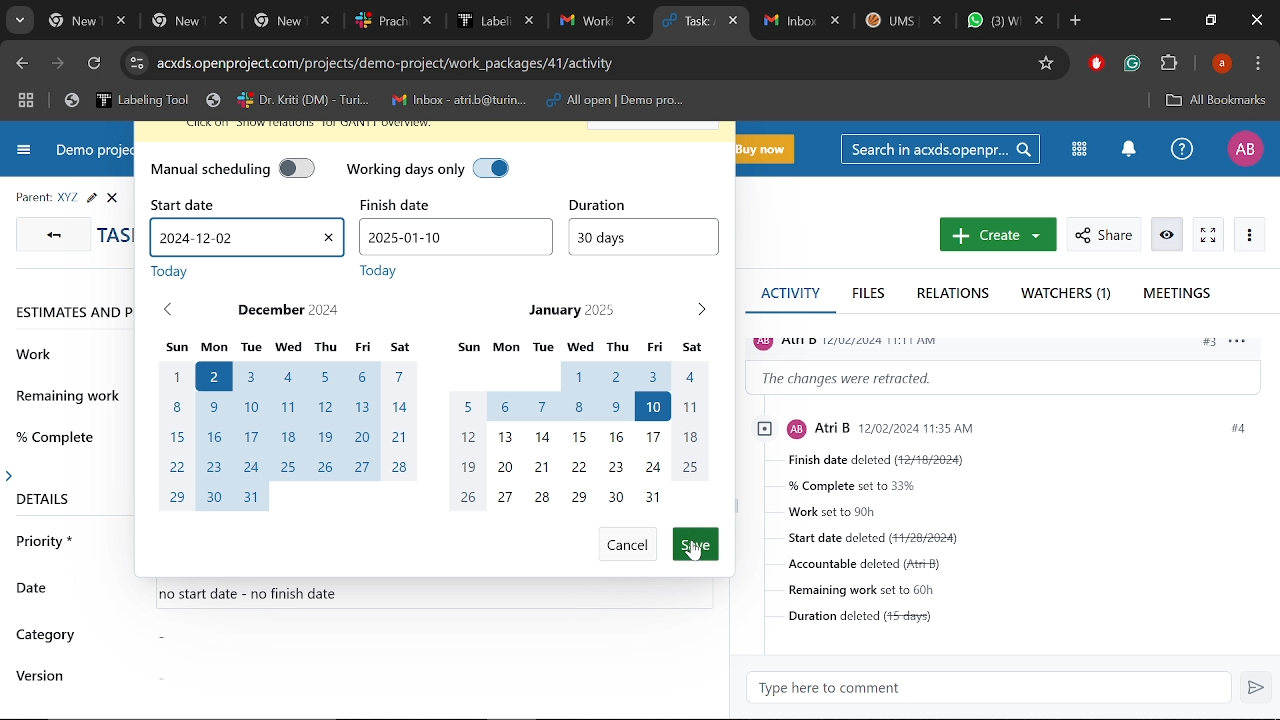  I want to click on December 2024, so click(291, 308).